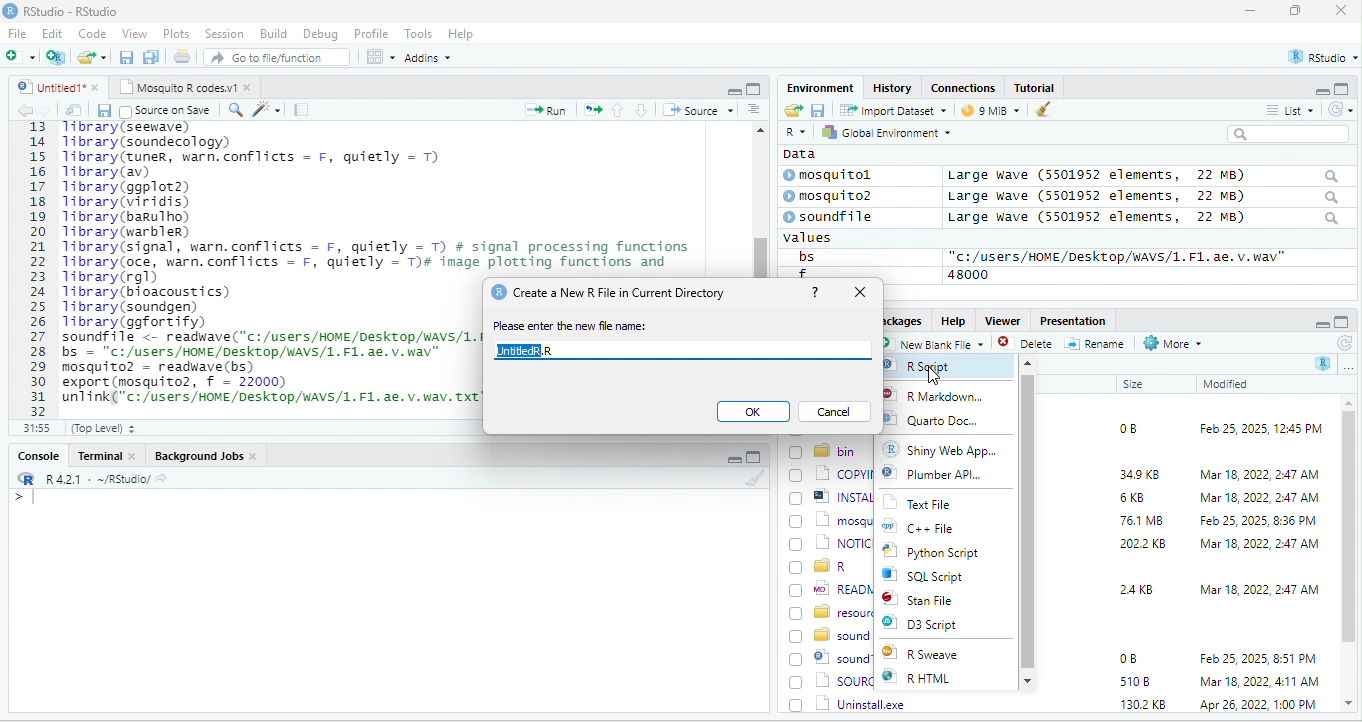 This screenshot has width=1362, height=722. I want to click on | SOURCE, so click(833, 681).